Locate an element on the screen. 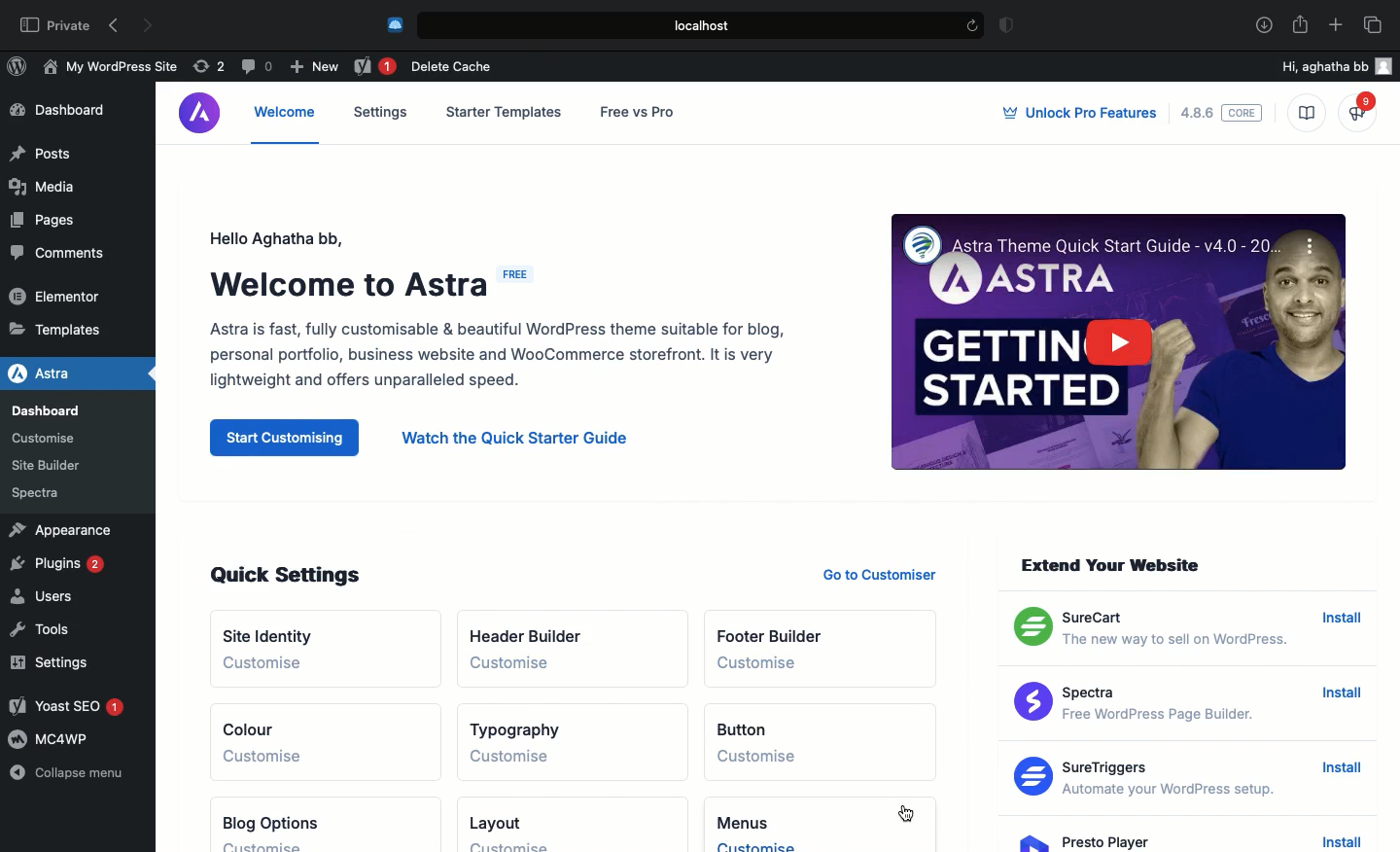 This screenshot has width=1400, height=852. Plugins 2 is located at coordinates (66, 562).